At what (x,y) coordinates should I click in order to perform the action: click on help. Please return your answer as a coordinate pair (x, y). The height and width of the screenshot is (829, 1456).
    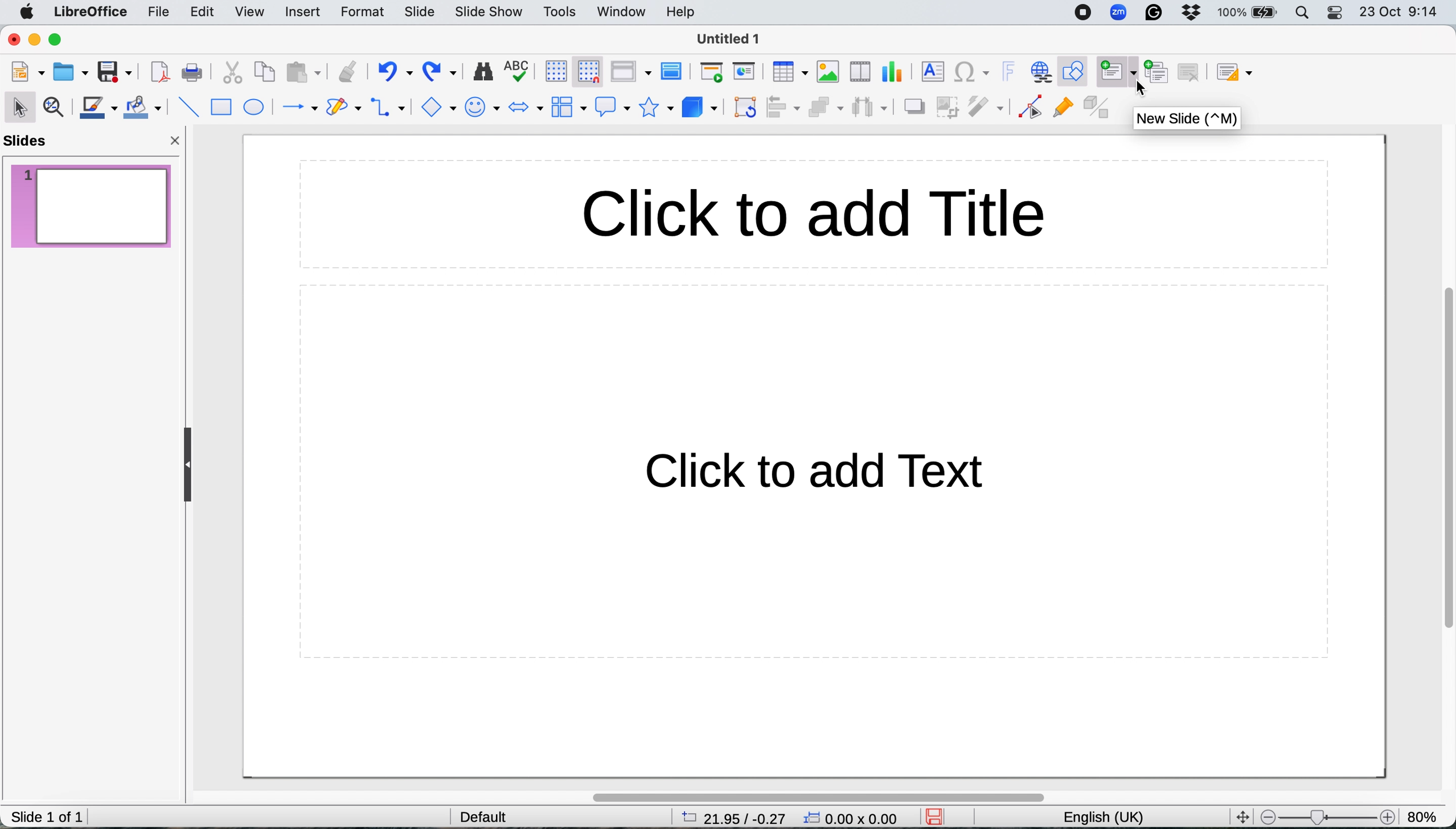
    Looking at the image, I should click on (683, 12).